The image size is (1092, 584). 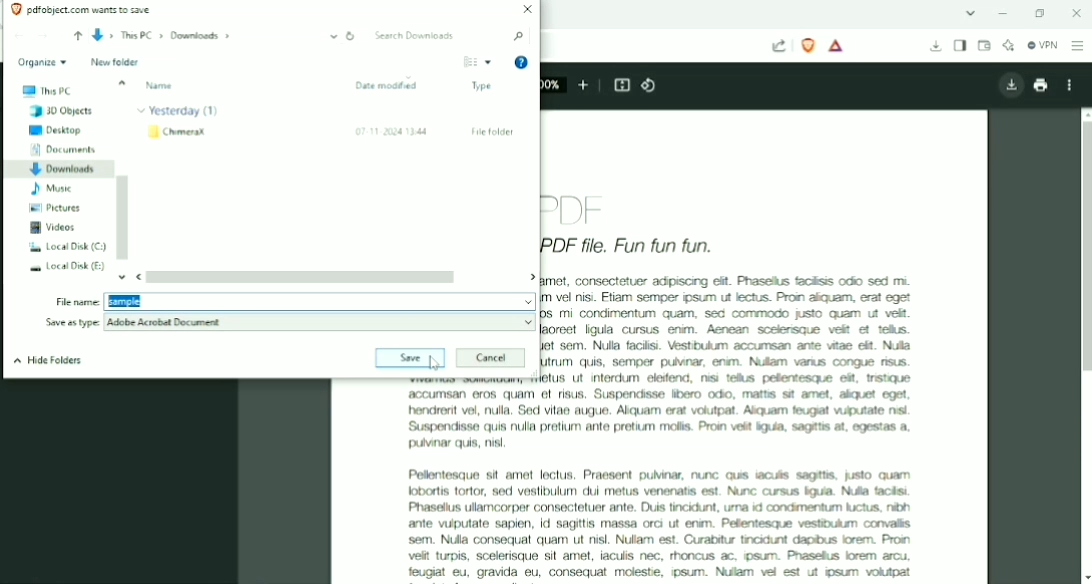 I want to click on Music, so click(x=49, y=189).